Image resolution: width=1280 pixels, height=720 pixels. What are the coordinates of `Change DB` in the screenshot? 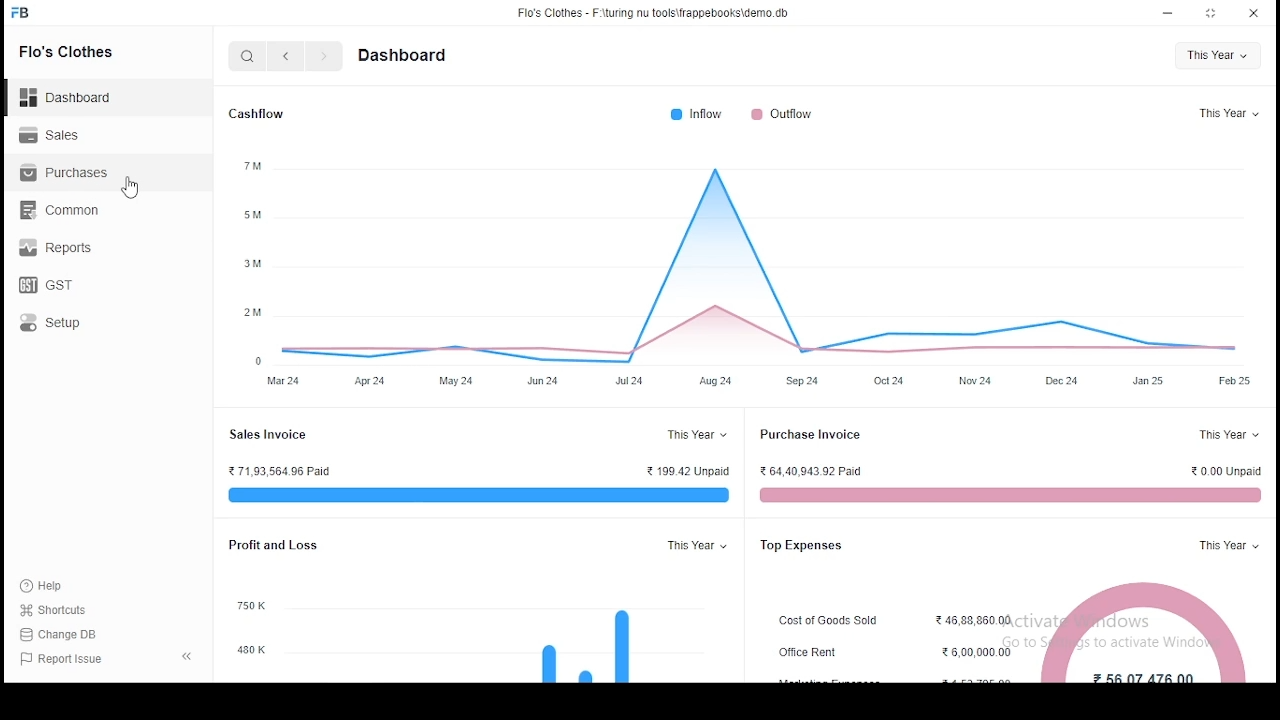 It's located at (65, 635).